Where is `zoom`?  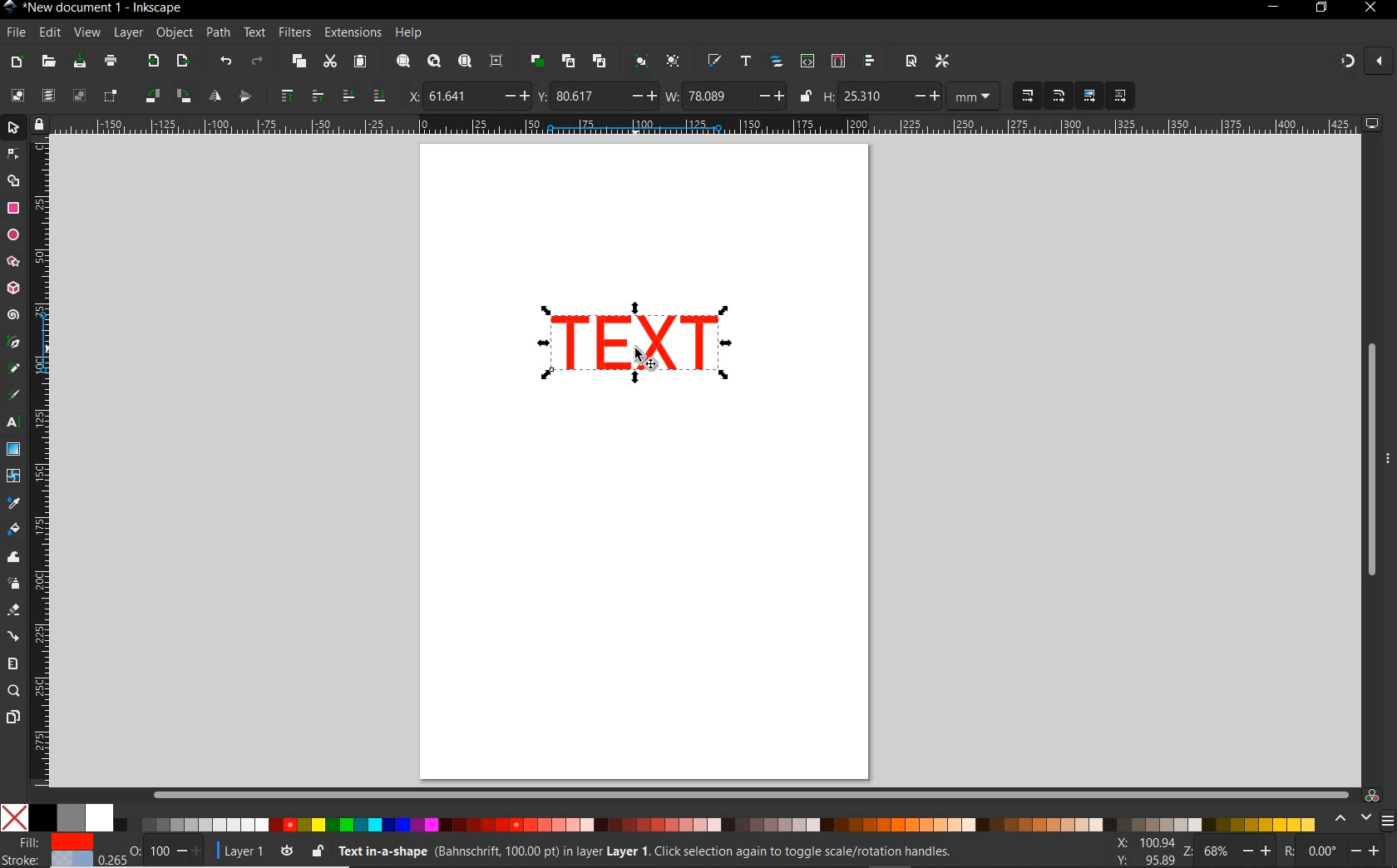
zoom is located at coordinates (1224, 851).